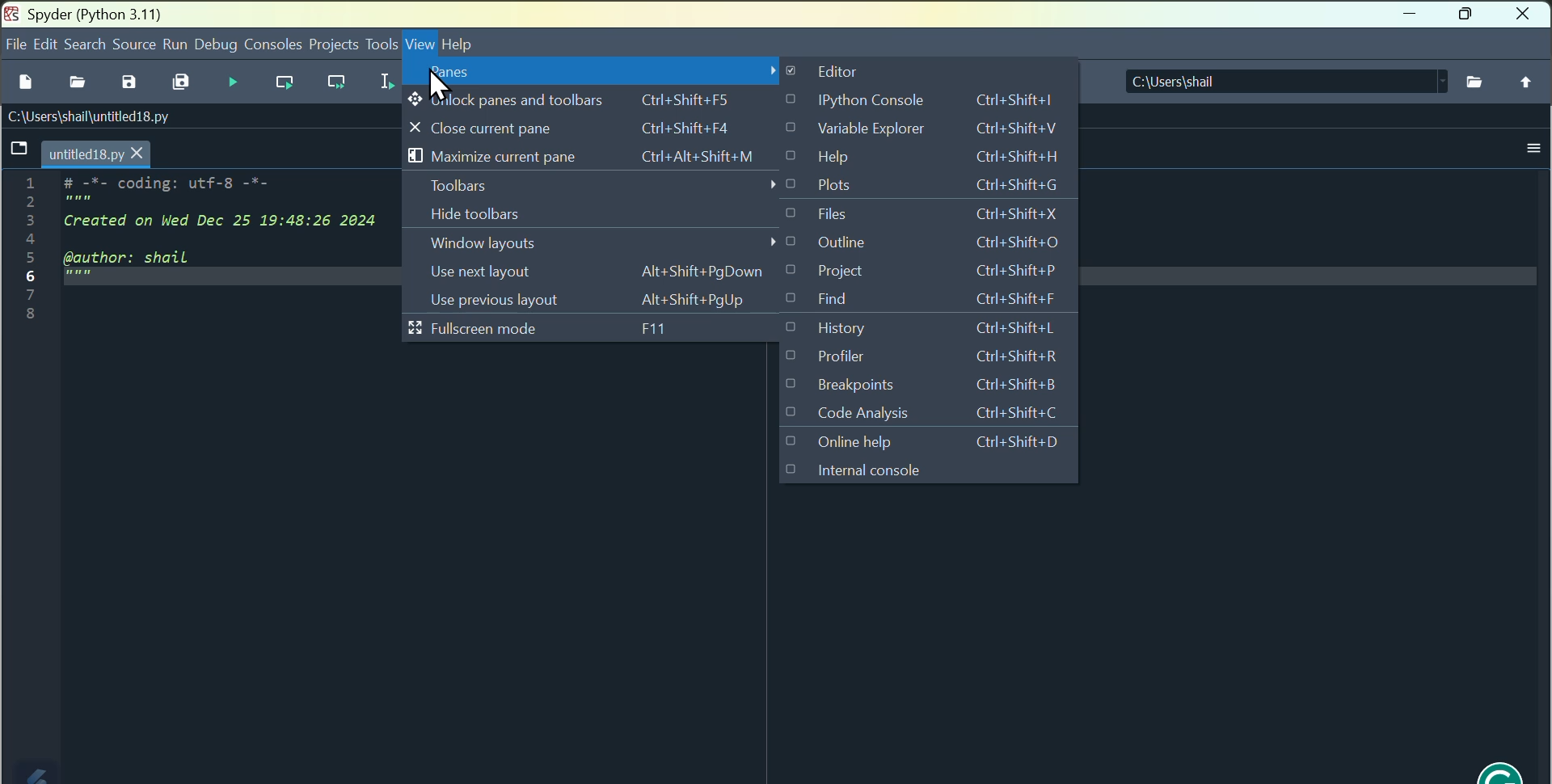 The image size is (1552, 784). Describe the element at coordinates (936, 243) in the screenshot. I see `Outline` at that location.